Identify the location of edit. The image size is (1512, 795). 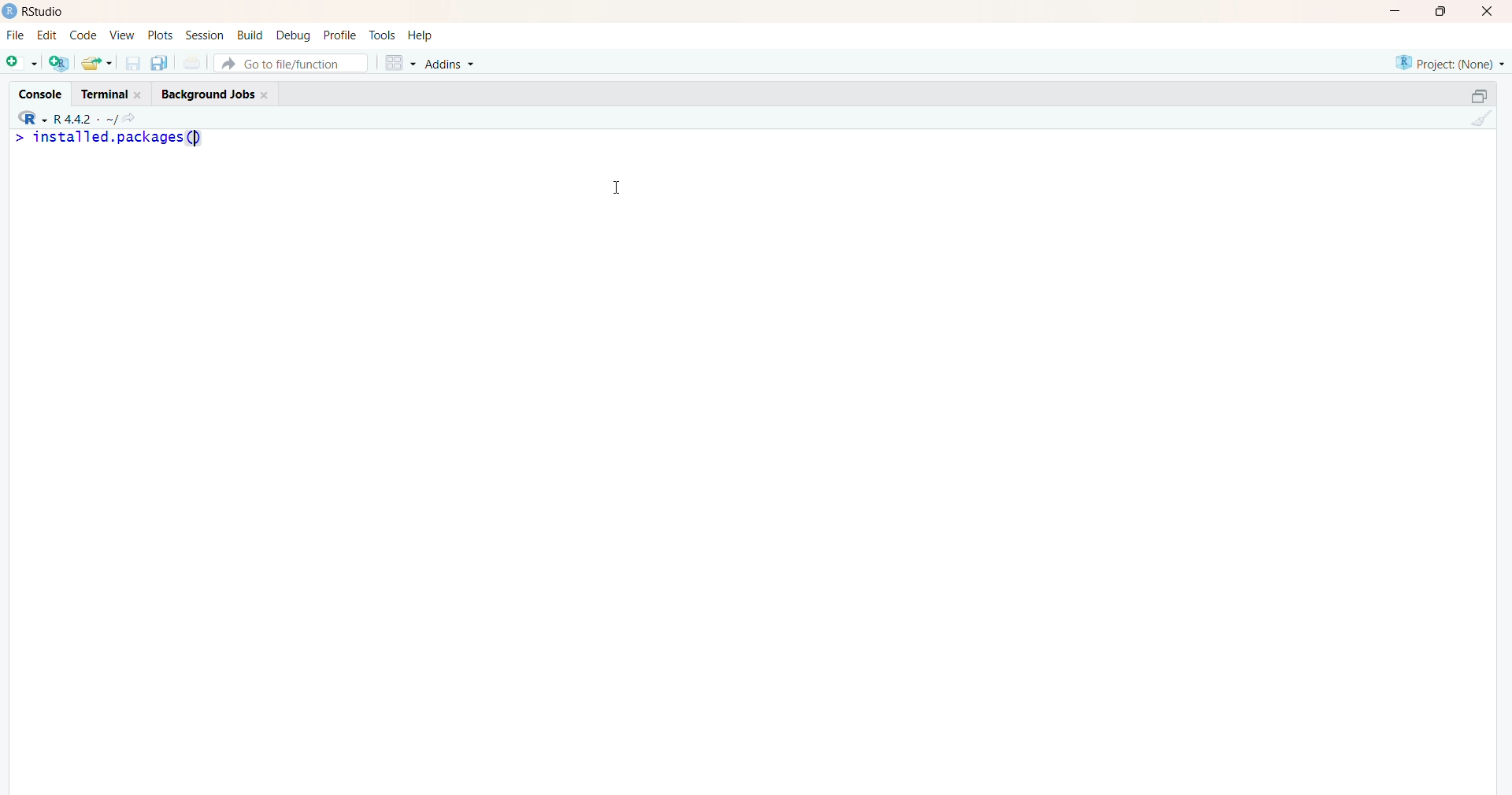
(48, 35).